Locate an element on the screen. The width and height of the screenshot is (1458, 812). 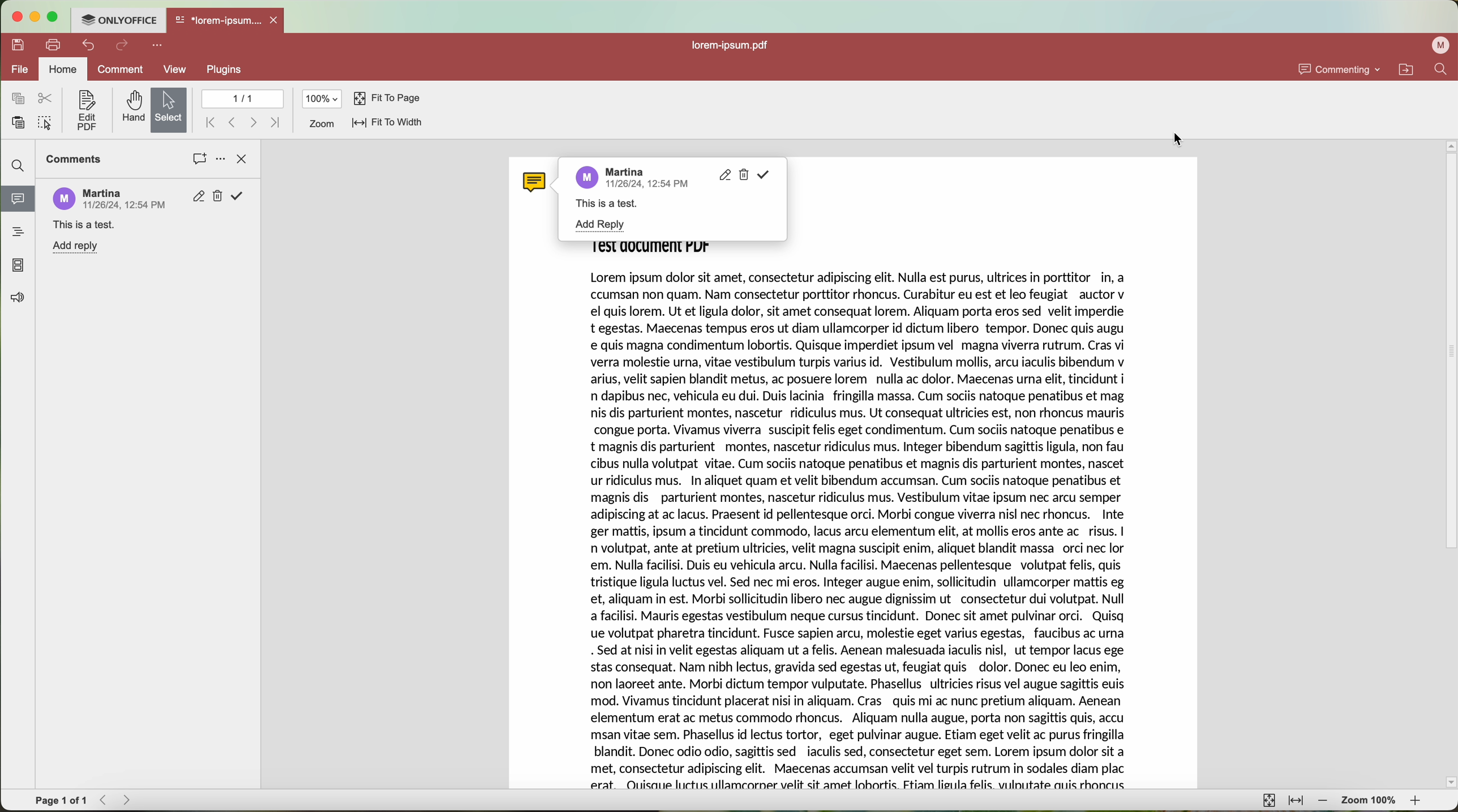
fit to page is located at coordinates (1269, 801).